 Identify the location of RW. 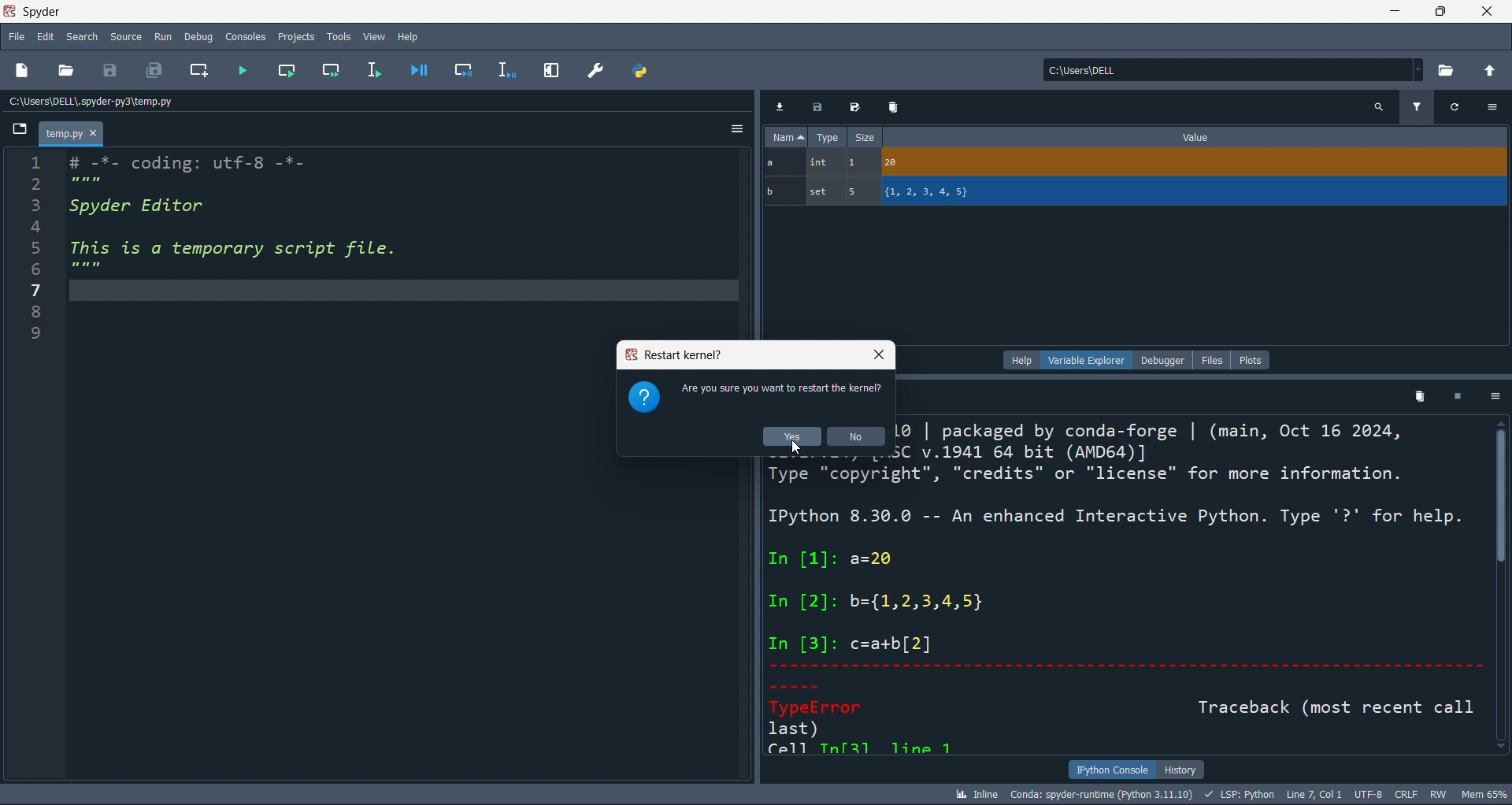
(1440, 791).